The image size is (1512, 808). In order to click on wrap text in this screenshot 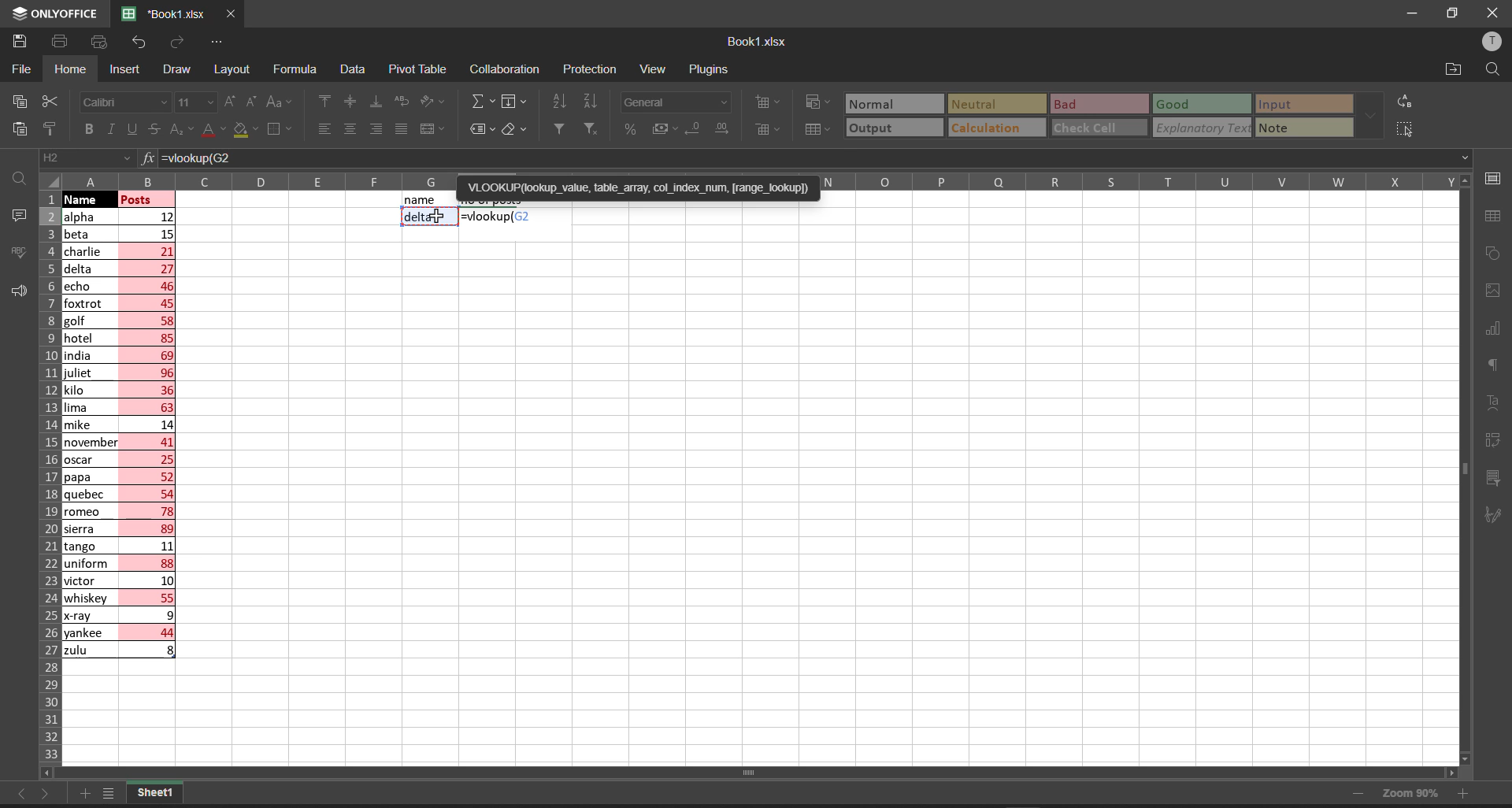, I will do `click(406, 103)`.